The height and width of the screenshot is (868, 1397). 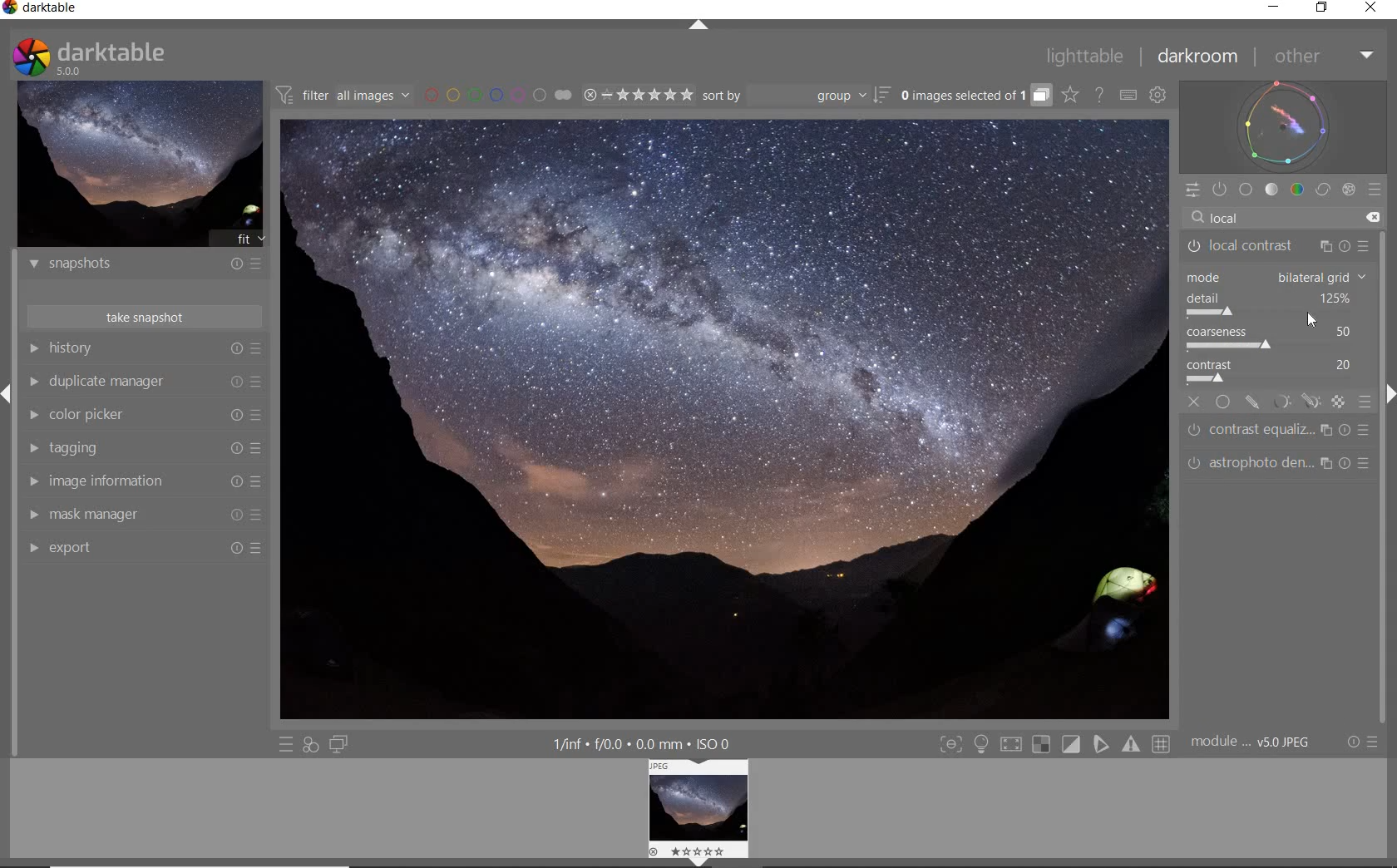 What do you see at coordinates (1252, 741) in the screenshot?
I see `Image info` at bounding box center [1252, 741].